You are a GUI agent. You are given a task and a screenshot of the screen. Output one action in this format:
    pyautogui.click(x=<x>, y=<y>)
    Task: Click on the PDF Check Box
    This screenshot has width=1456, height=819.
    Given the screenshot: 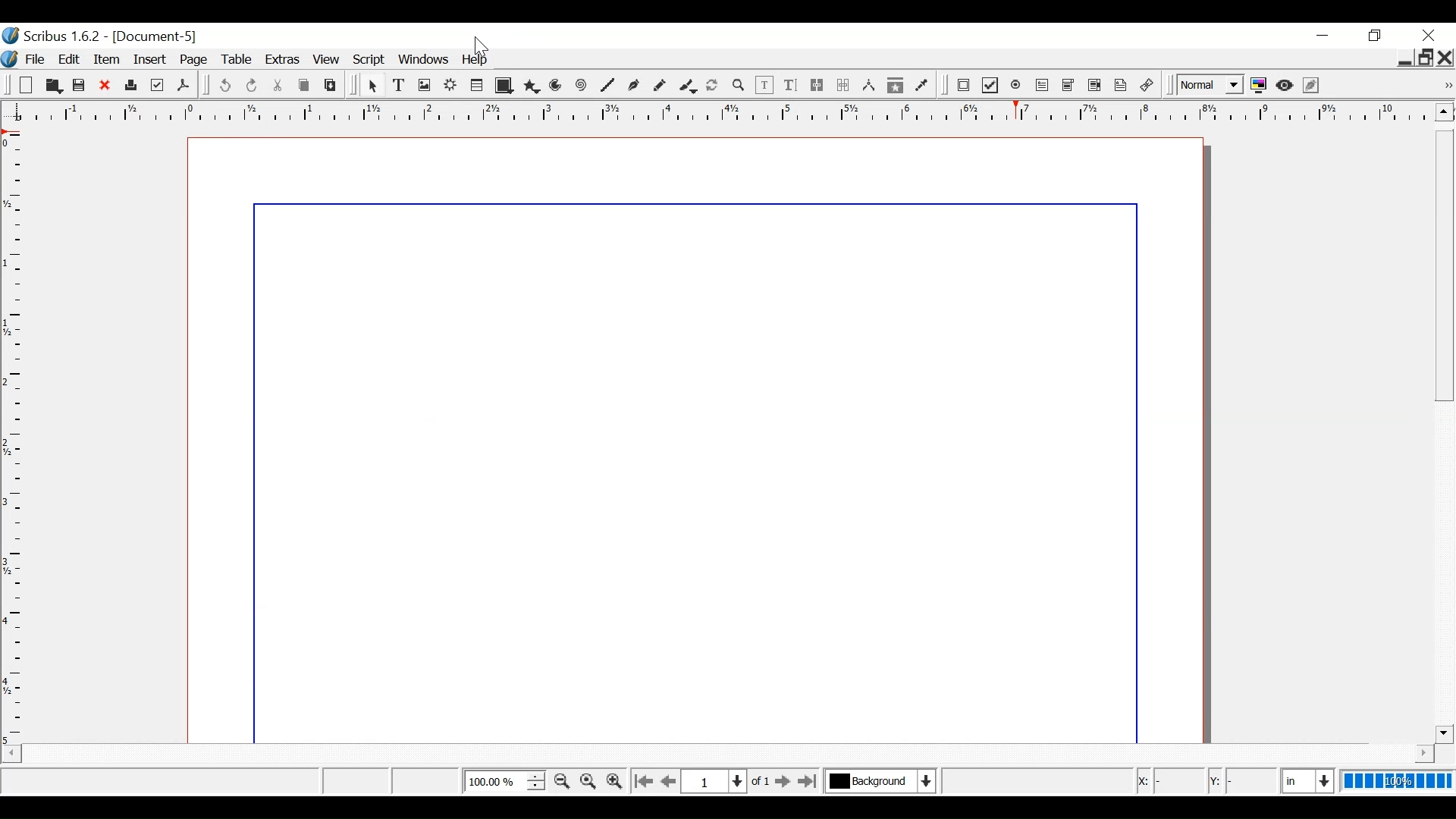 What is the action you would take?
    pyautogui.click(x=990, y=86)
    